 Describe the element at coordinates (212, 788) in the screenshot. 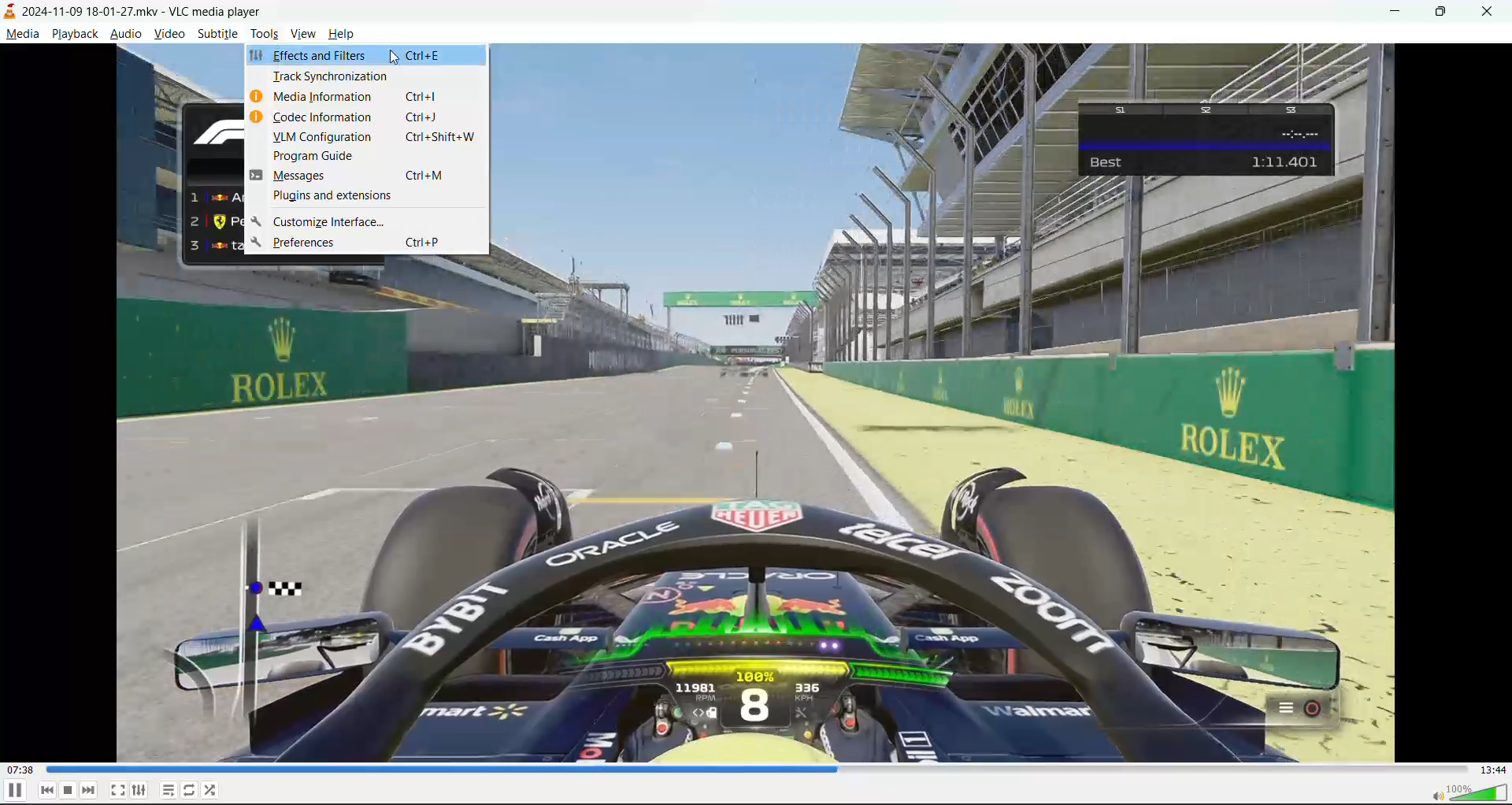

I see `random` at that location.